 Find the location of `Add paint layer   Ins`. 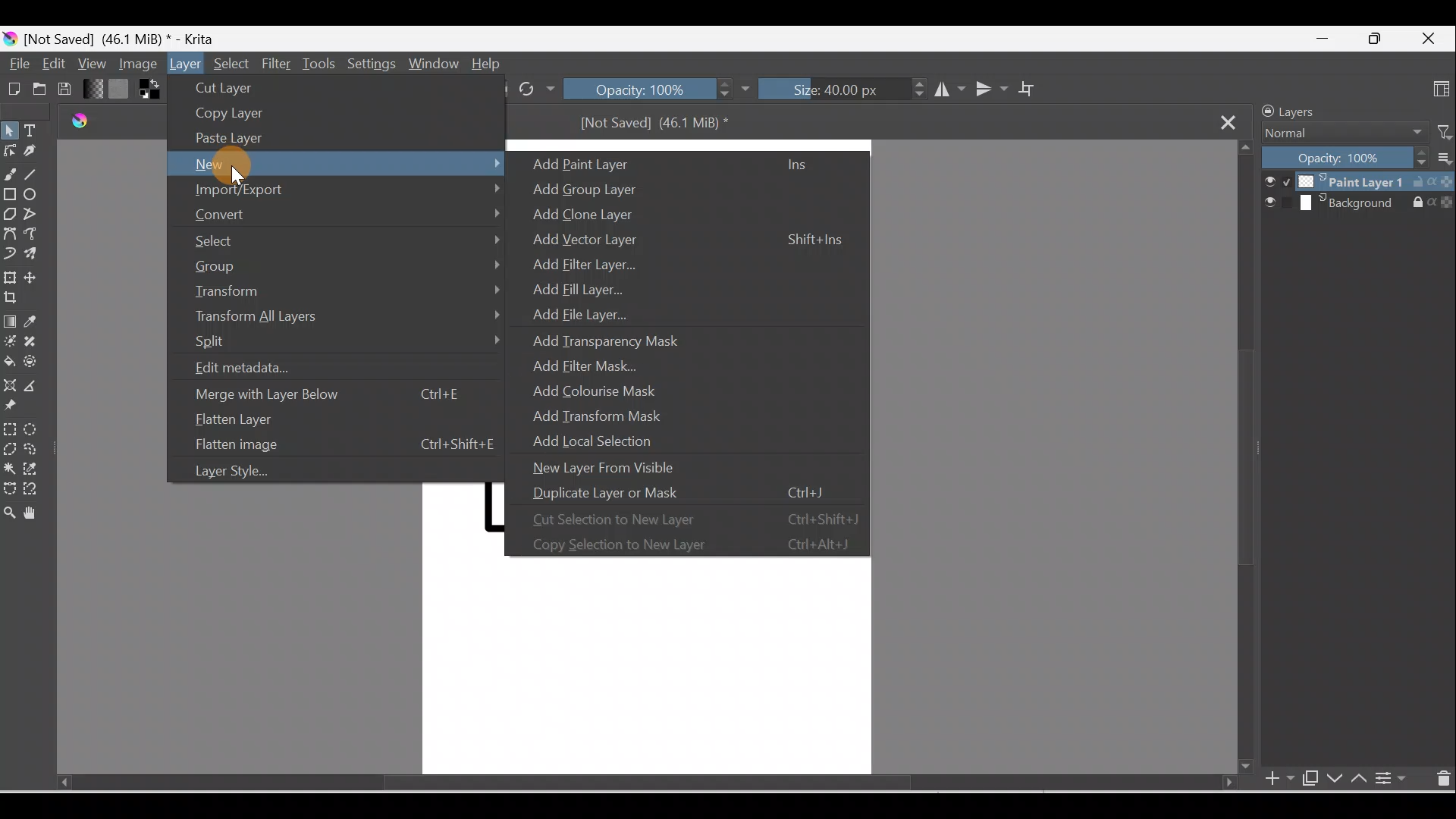

Add paint layer   Ins is located at coordinates (679, 163).